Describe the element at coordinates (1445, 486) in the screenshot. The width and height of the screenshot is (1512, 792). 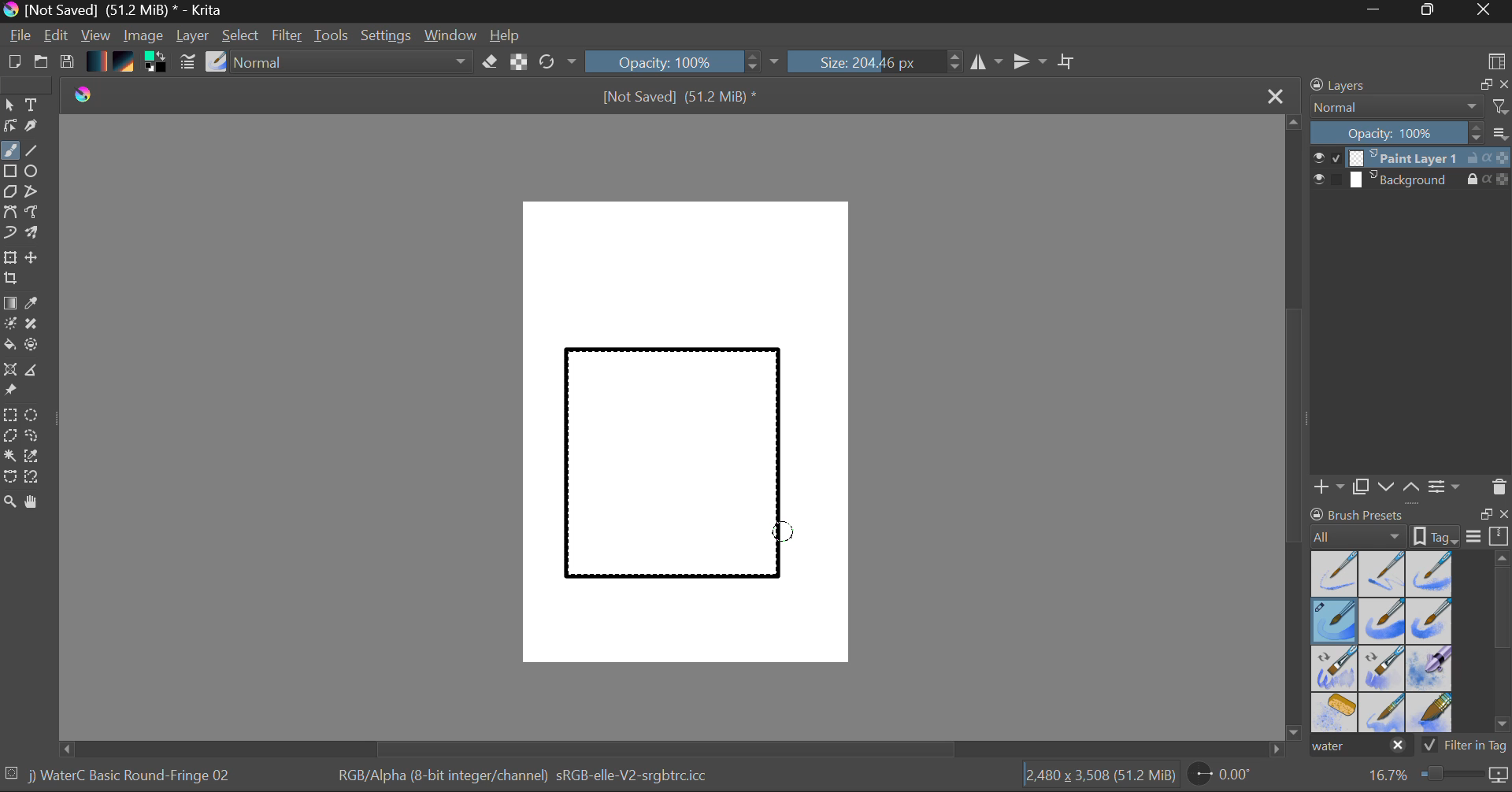
I see `Layer Settings` at that location.